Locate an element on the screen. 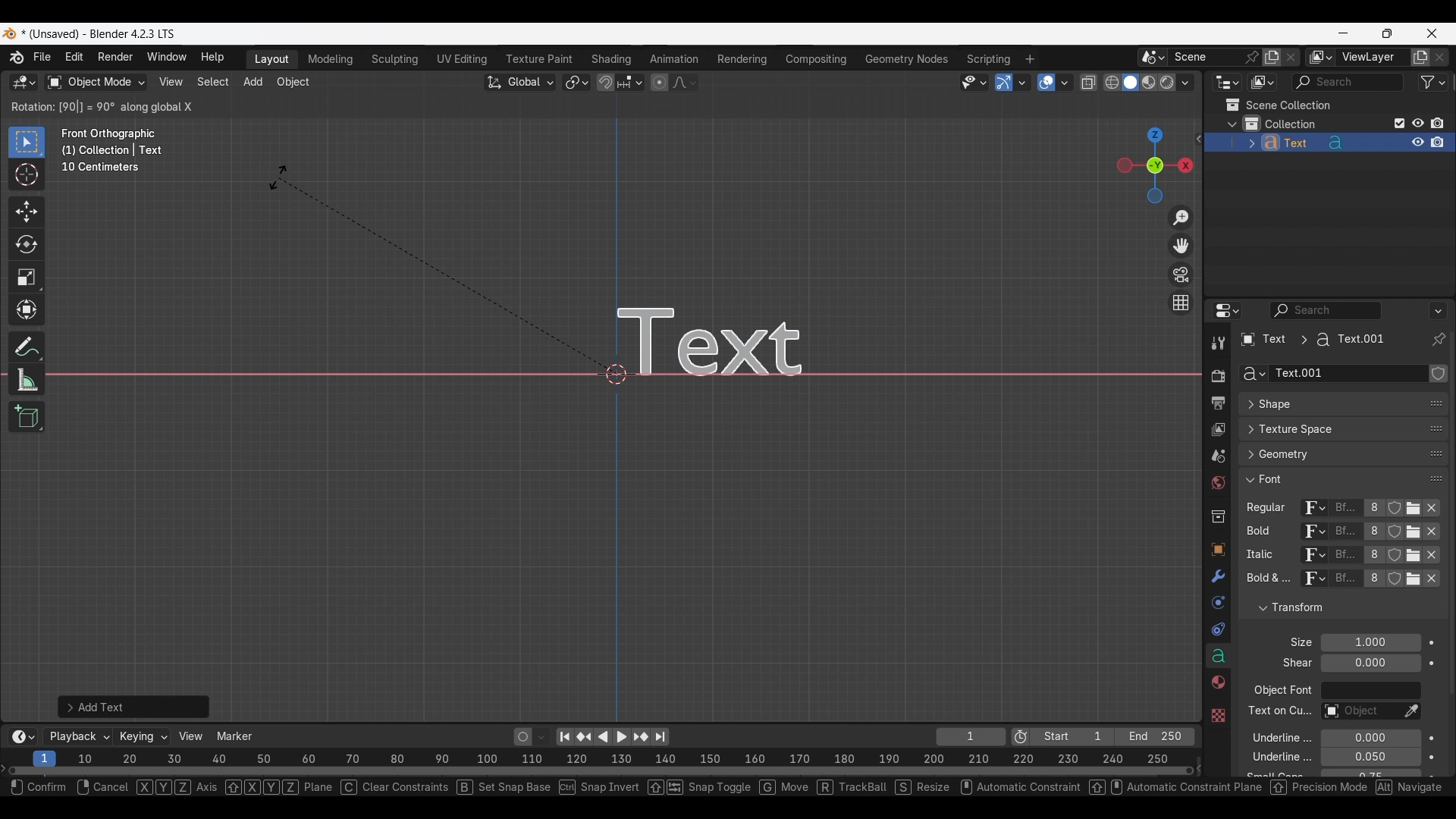 The image size is (1456, 819). Animation workspace is located at coordinates (674, 60).